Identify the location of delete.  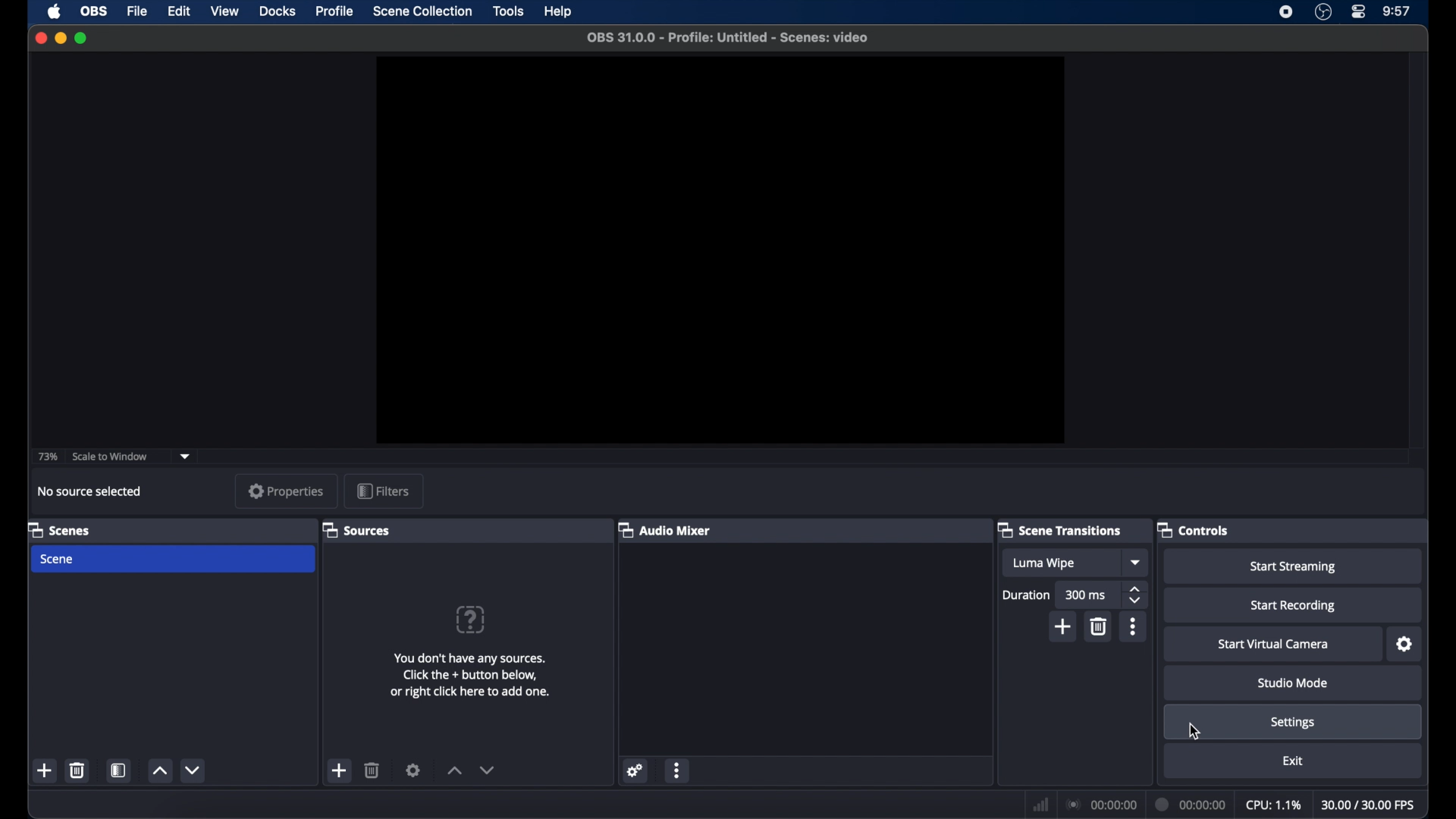
(1100, 626).